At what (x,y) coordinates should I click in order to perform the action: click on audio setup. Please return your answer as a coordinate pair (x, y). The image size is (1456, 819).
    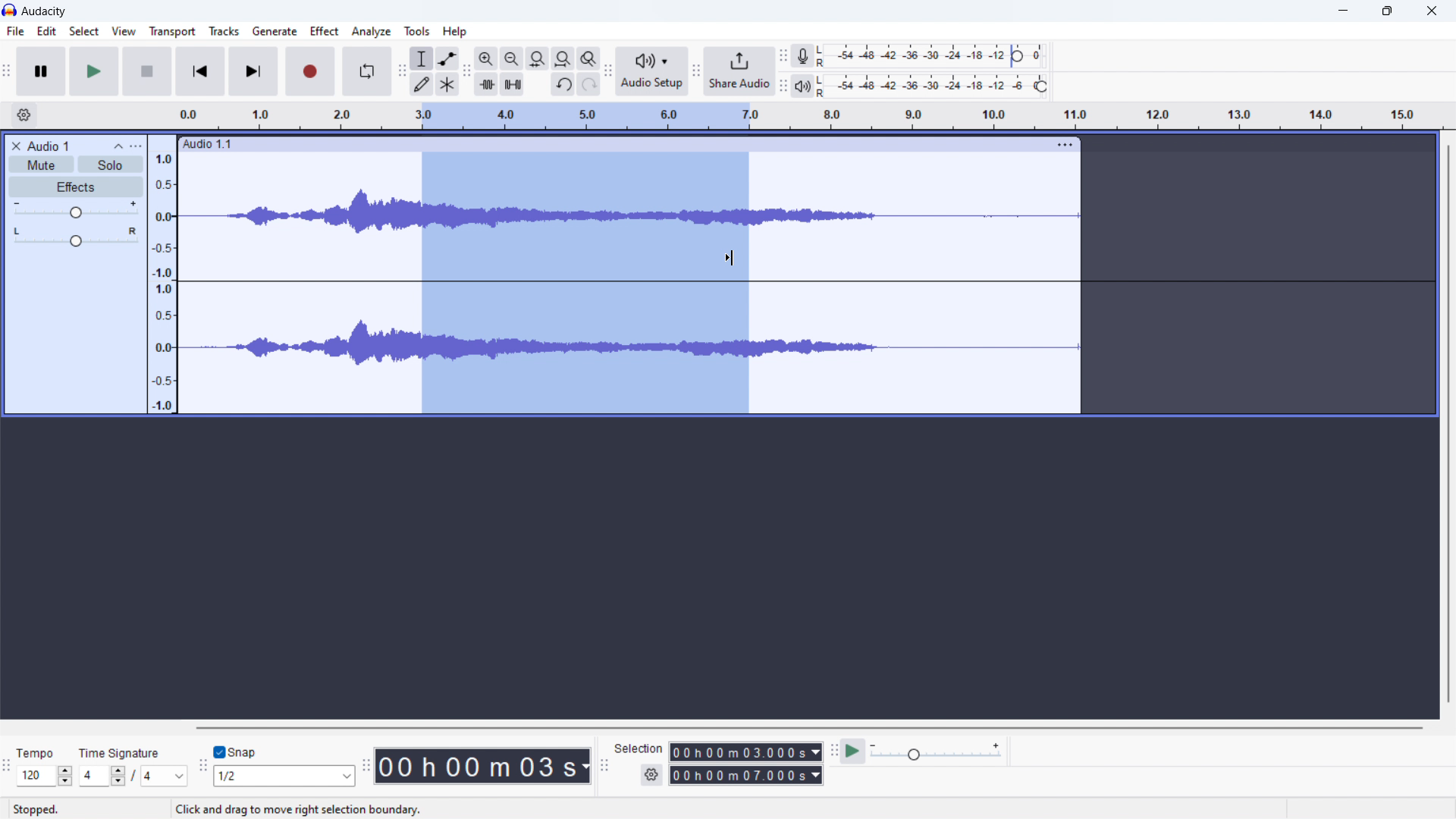
    Looking at the image, I should click on (652, 73).